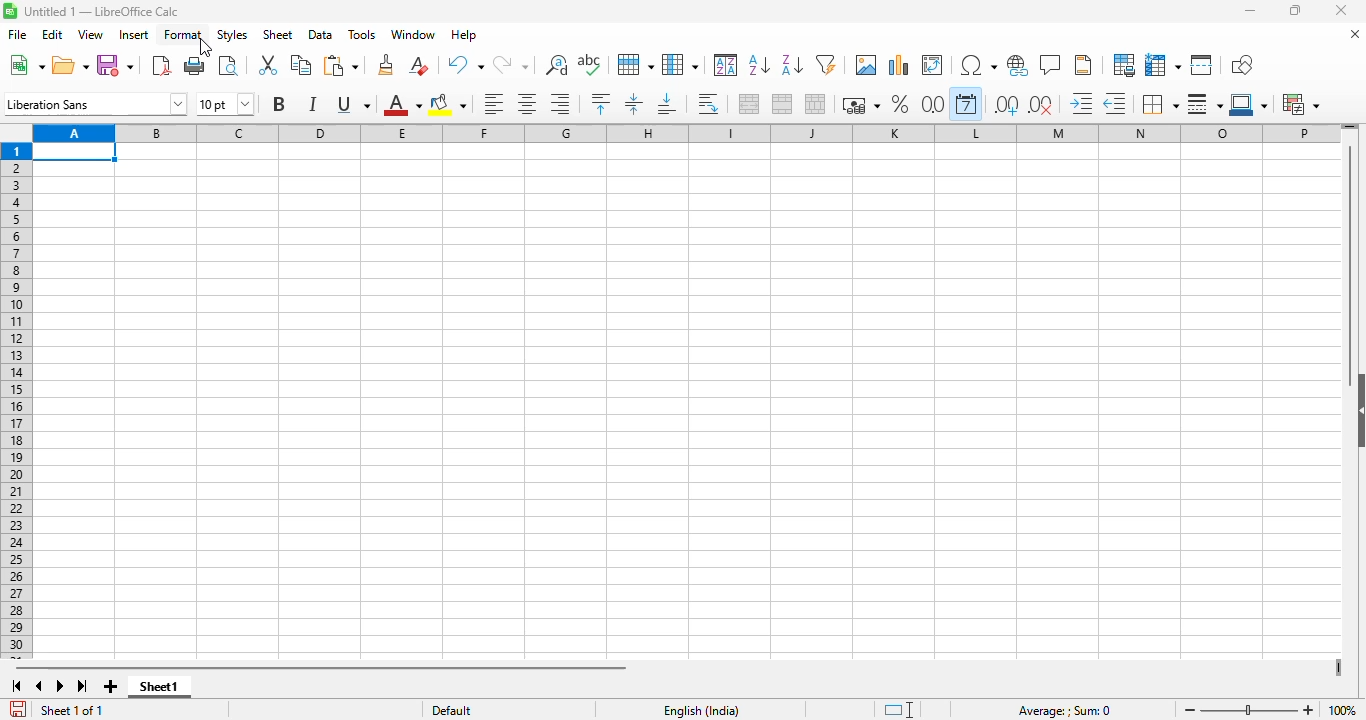 The image size is (1366, 720). Describe the element at coordinates (321, 35) in the screenshot. I see `data` at that location.